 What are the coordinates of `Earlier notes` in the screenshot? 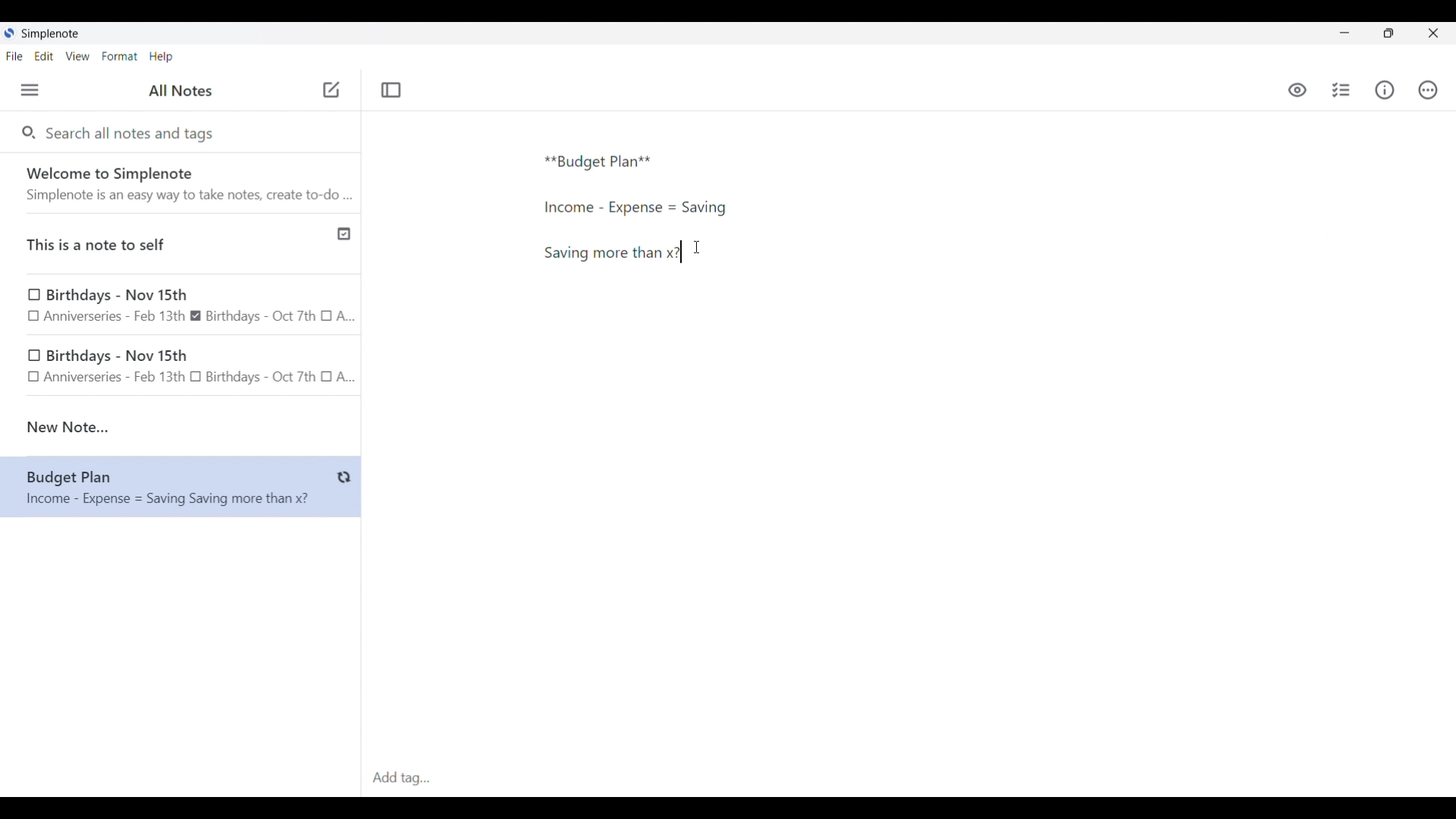 It's located at (181, 304).